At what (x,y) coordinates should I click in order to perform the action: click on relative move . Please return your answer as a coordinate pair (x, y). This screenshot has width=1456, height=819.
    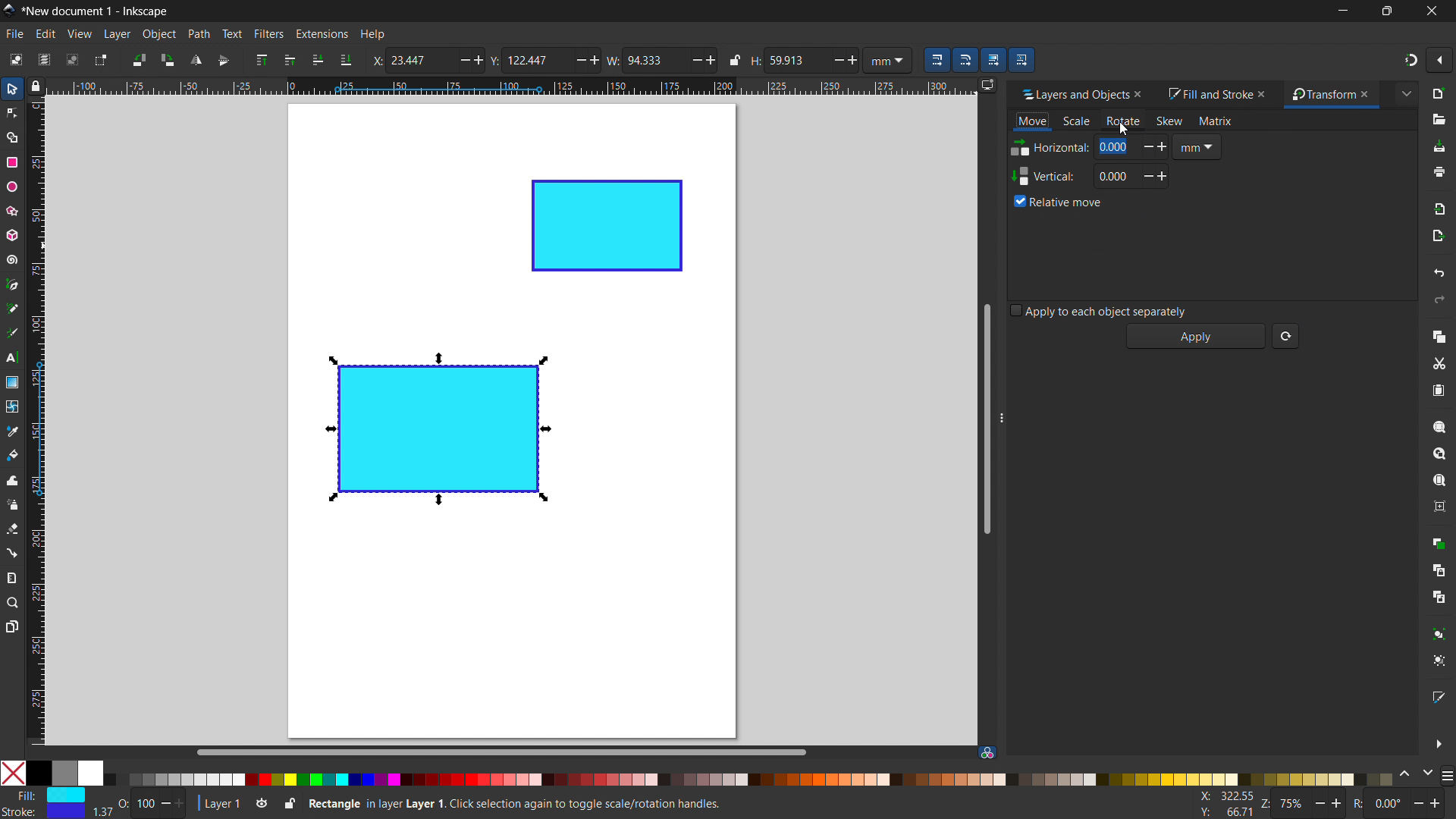
    Looking at the image, I should click on (1057, 203).